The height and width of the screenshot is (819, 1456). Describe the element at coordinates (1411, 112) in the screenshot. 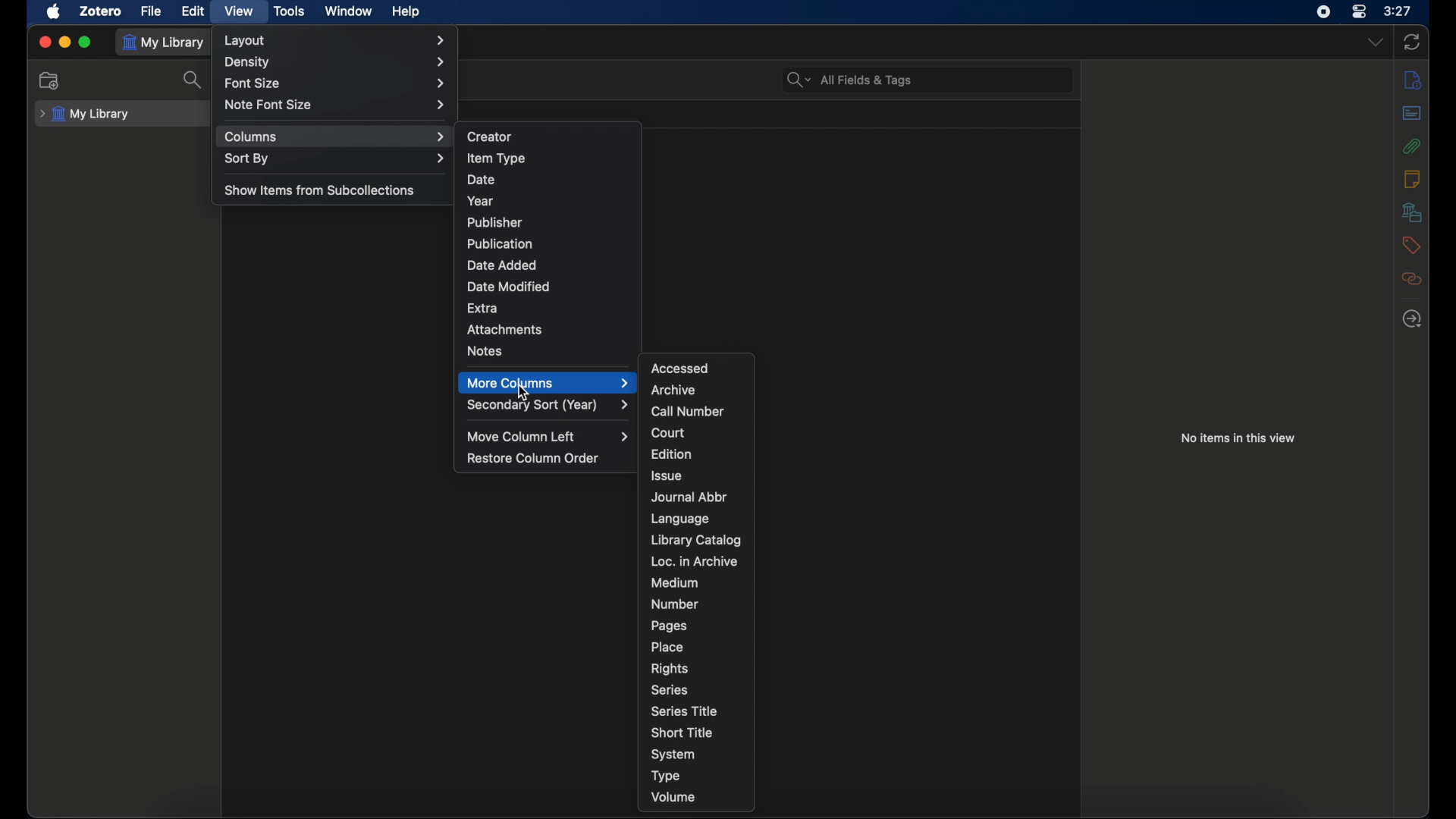

I see `abstract` at that location.